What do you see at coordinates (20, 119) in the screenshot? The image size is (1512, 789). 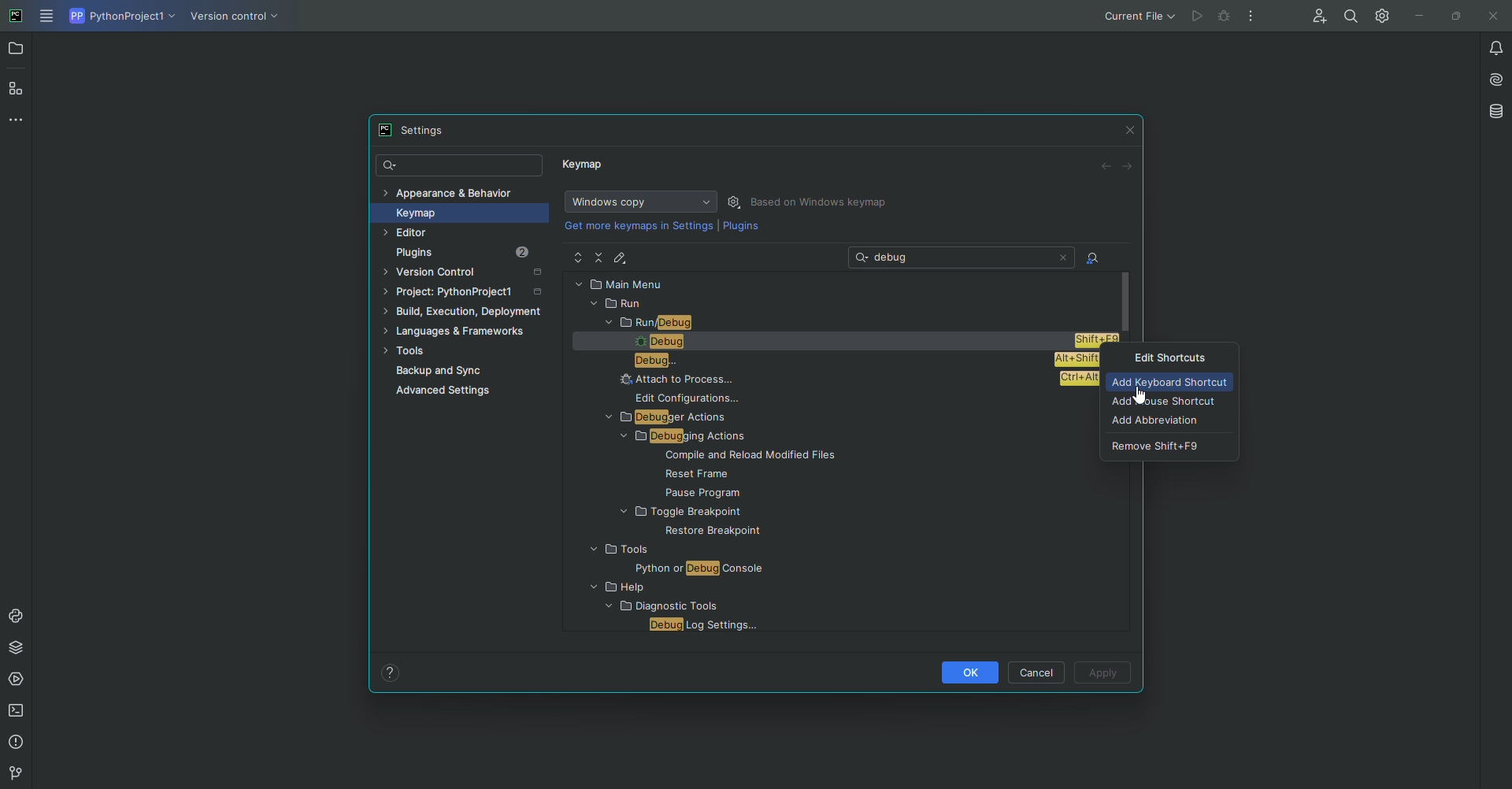 I see `More Tools` at bounding box center [20, 119].